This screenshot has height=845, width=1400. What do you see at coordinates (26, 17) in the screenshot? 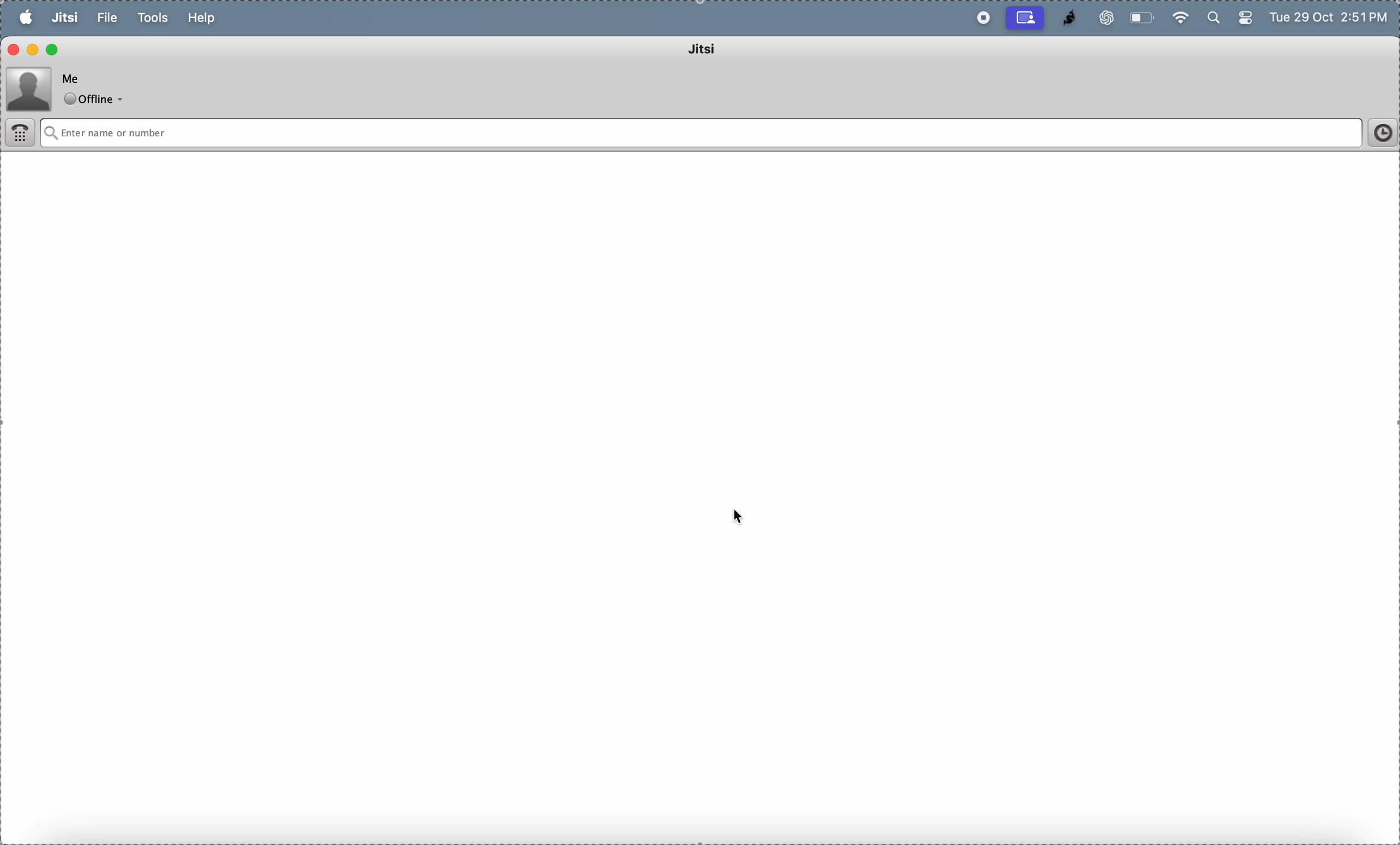
I see `apple menu` at bounding box center [26, 17].